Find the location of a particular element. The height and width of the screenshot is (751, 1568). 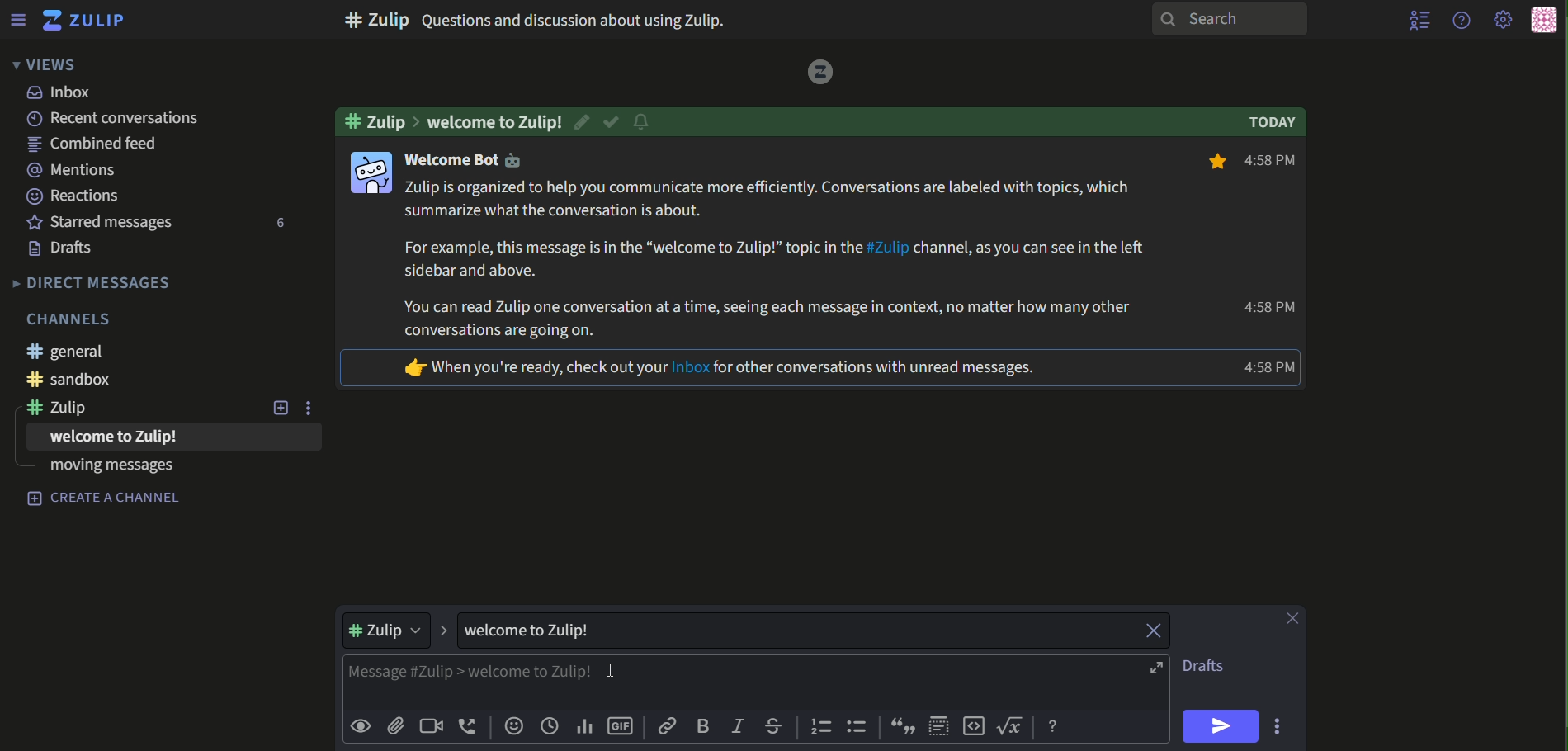

formatting is located at coordinates (1056, 727).